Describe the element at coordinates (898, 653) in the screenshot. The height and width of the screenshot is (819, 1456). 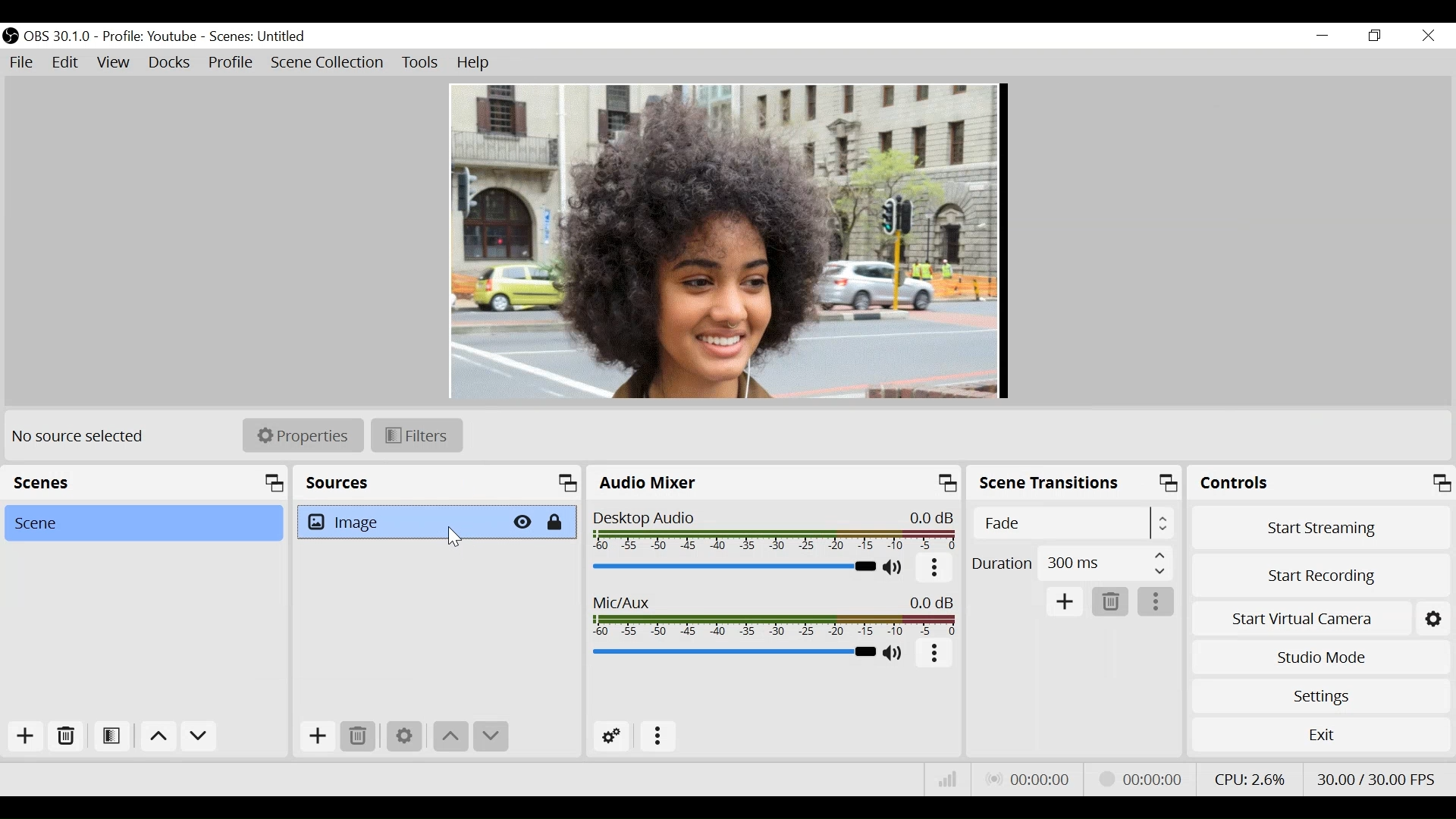
I see `(un)mute` at that location.